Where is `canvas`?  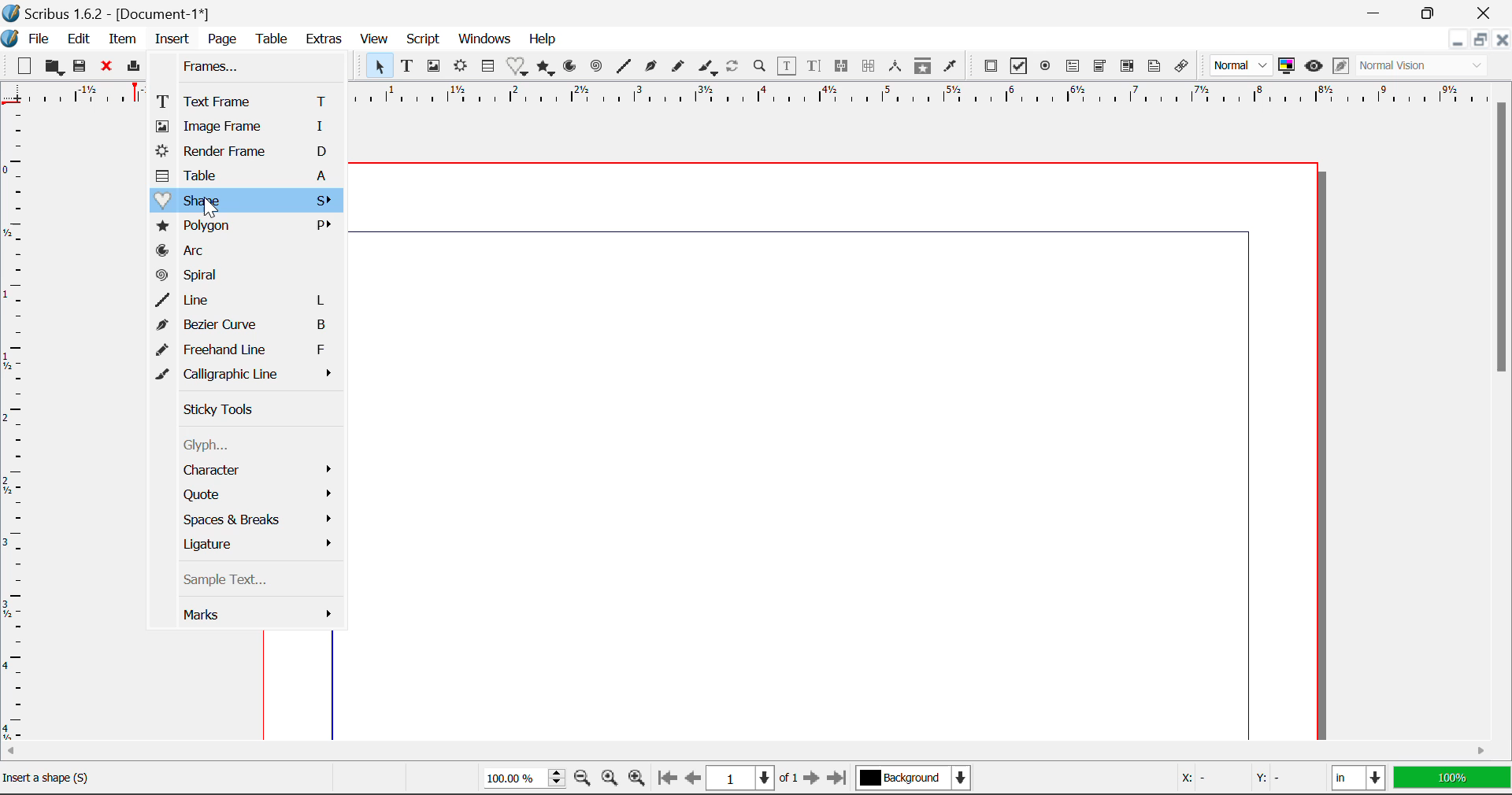
canvas is located at coordinates (829, 452).